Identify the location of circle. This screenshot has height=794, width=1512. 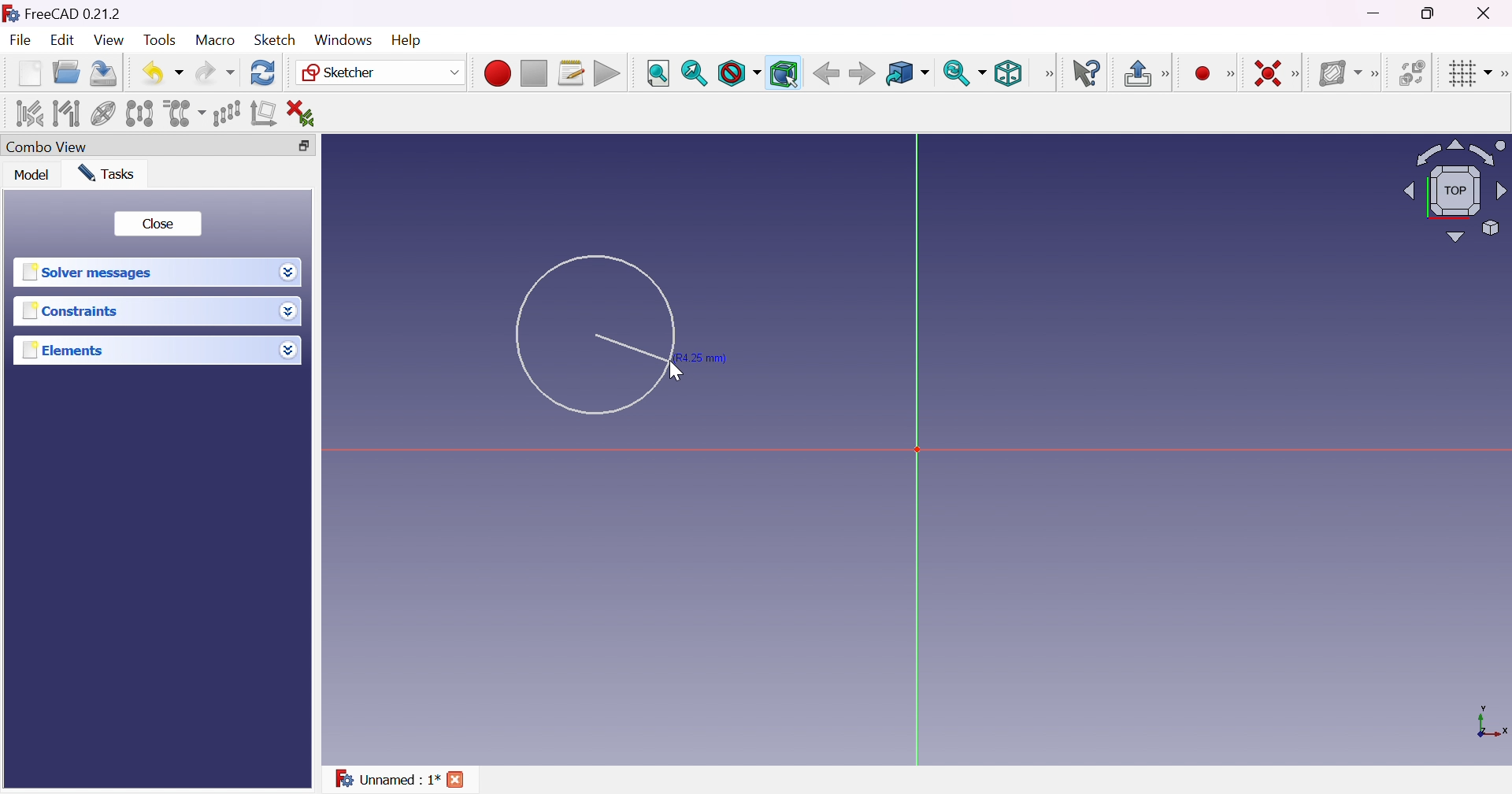
(595, 333).